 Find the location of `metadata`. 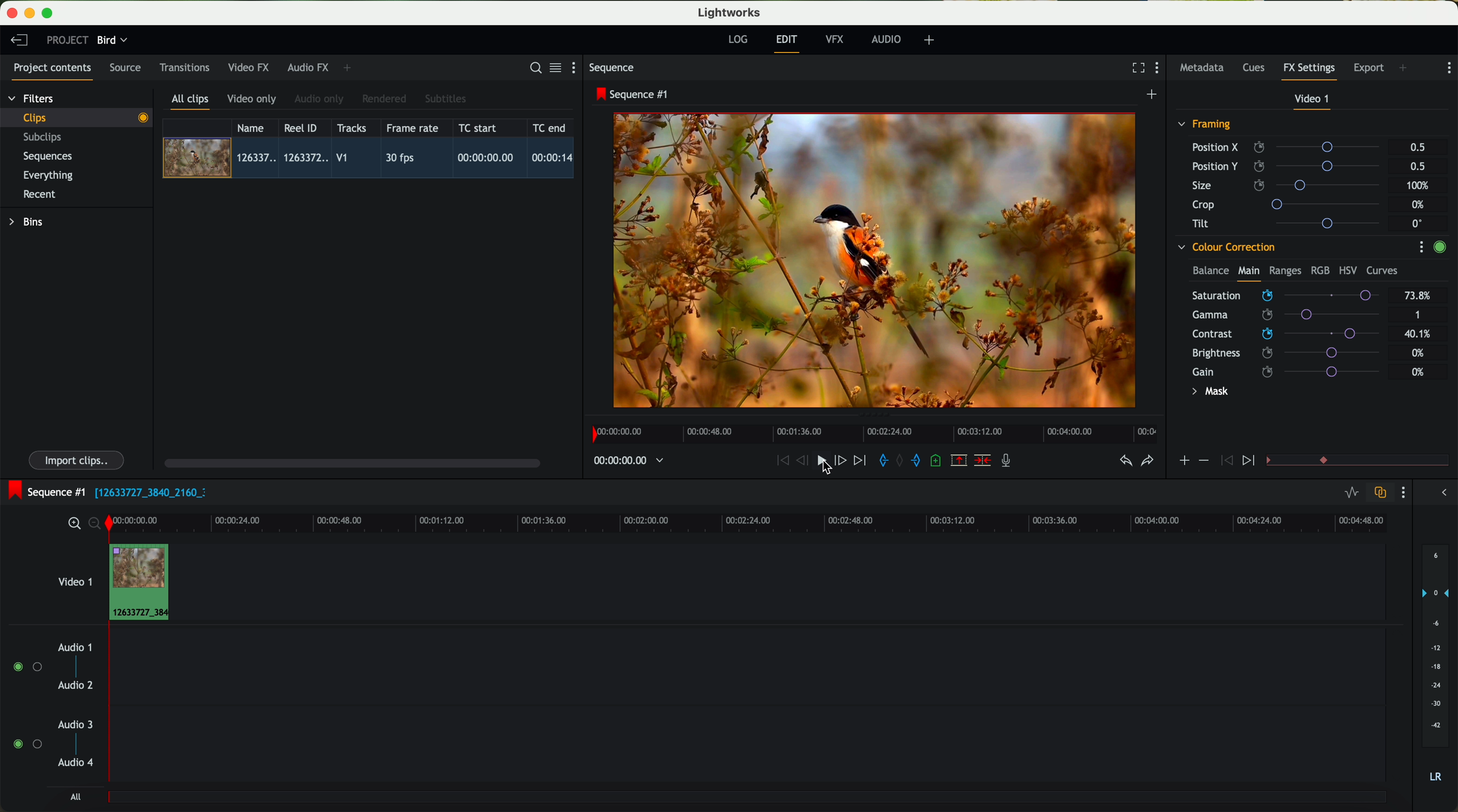

metadata is located at coordinates (1204, 68).